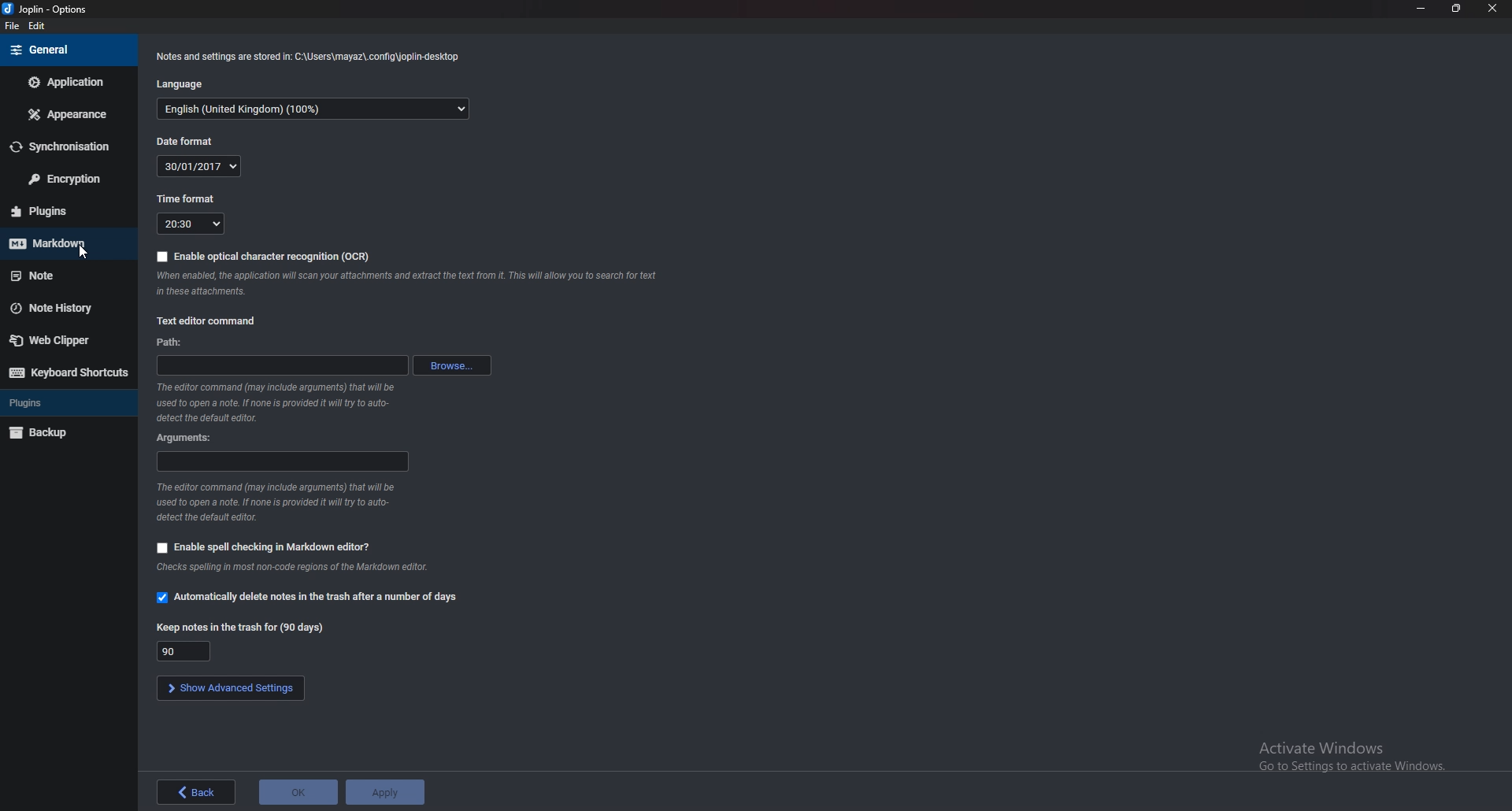 The image size is (1512, 811). I want to click on the editor command (may include arguments) that will be used to open a note. If none is provided it will try to auto-detect the default editor., so click(305, 403).